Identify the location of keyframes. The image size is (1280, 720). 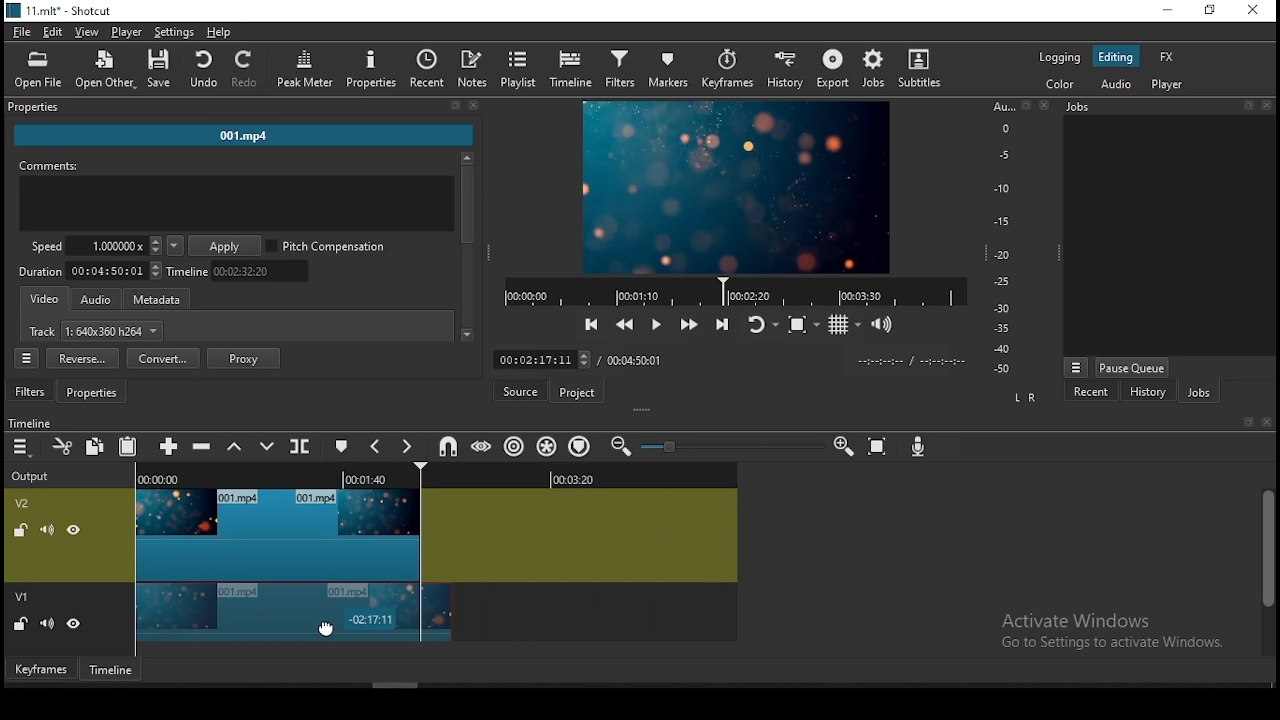
(39, 668).